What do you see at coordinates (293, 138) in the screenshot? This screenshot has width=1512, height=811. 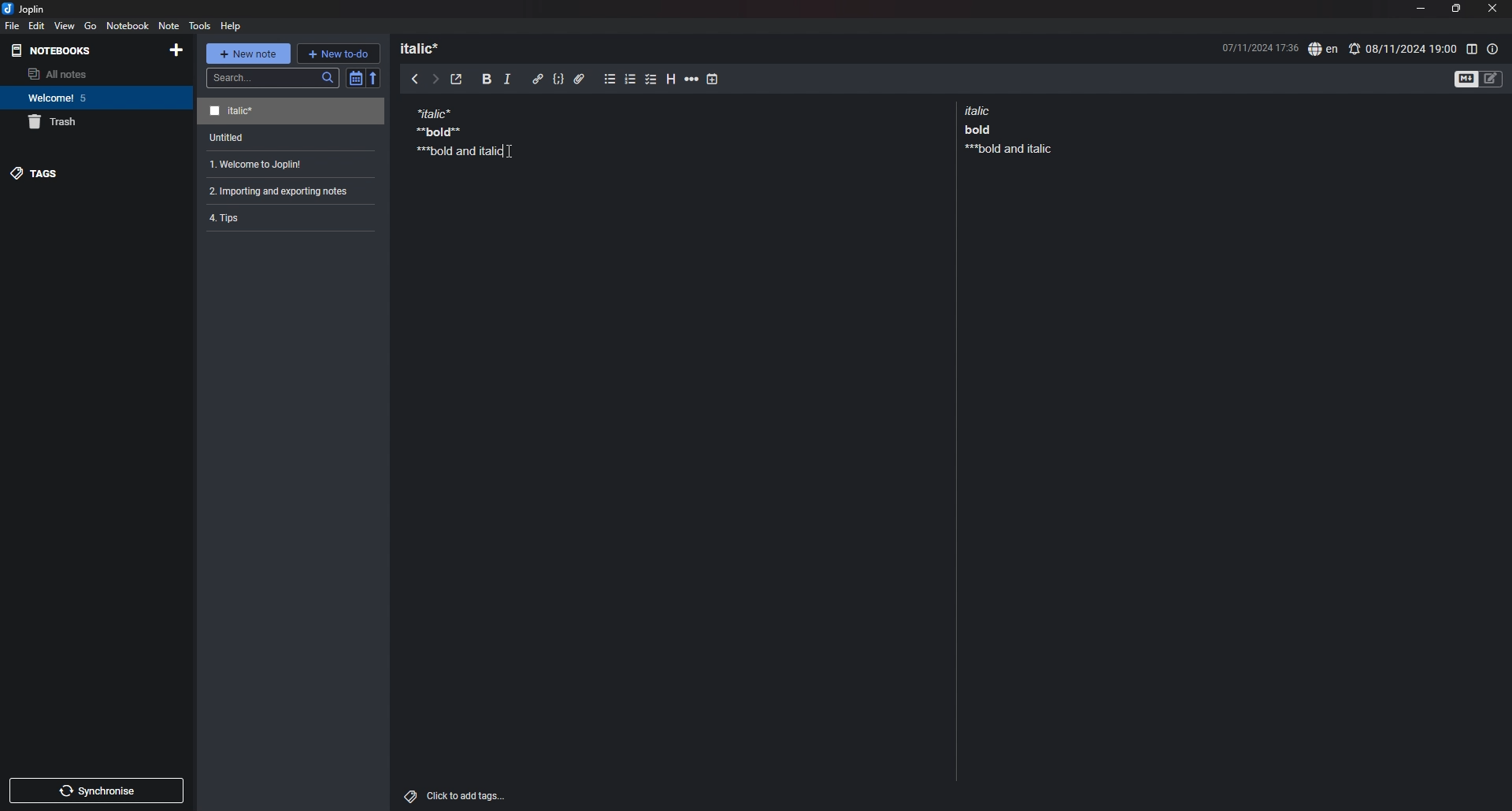 I see `note` at bounding box center [293, 138].